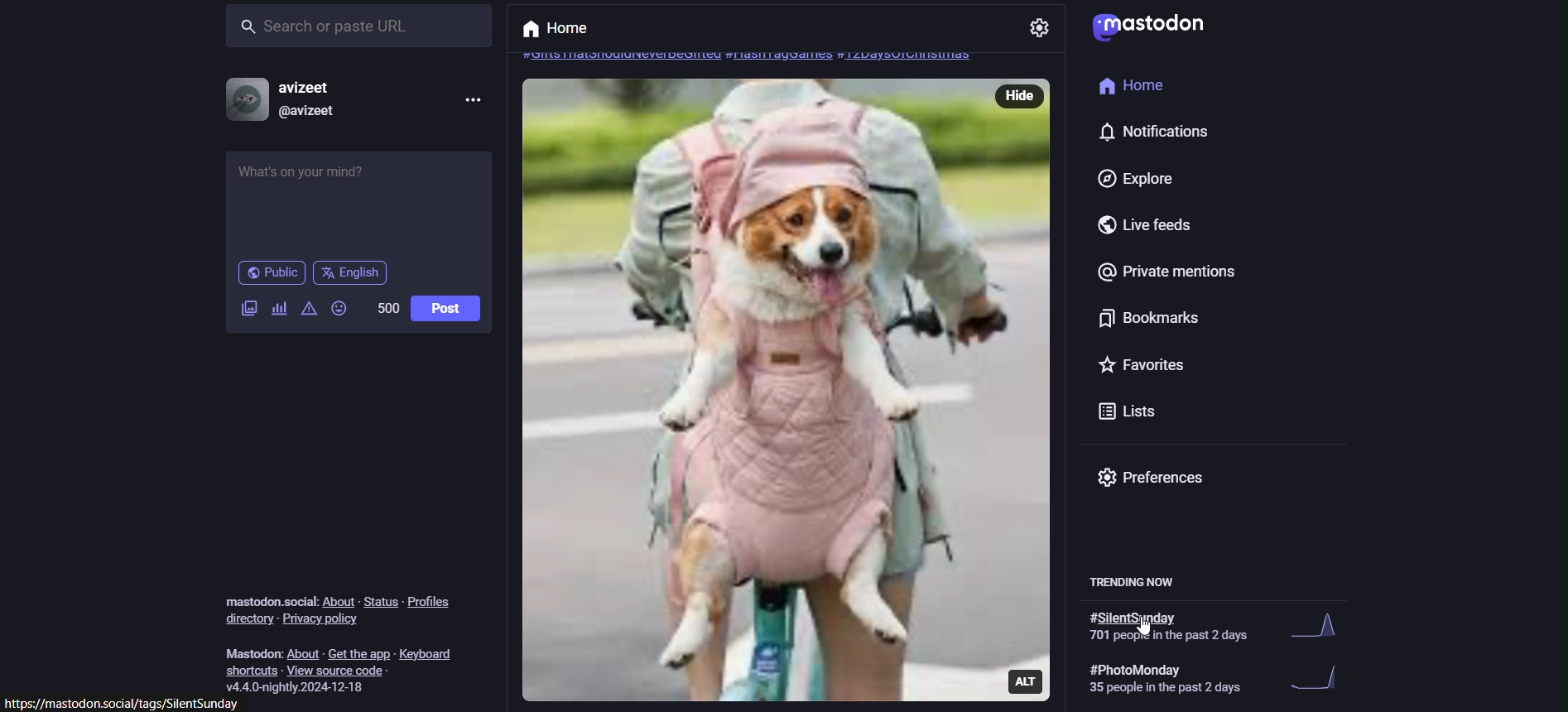  What do you see at coordinates (303, 654) in the screenshot?
I see `about` at bounding box center [303, 654].